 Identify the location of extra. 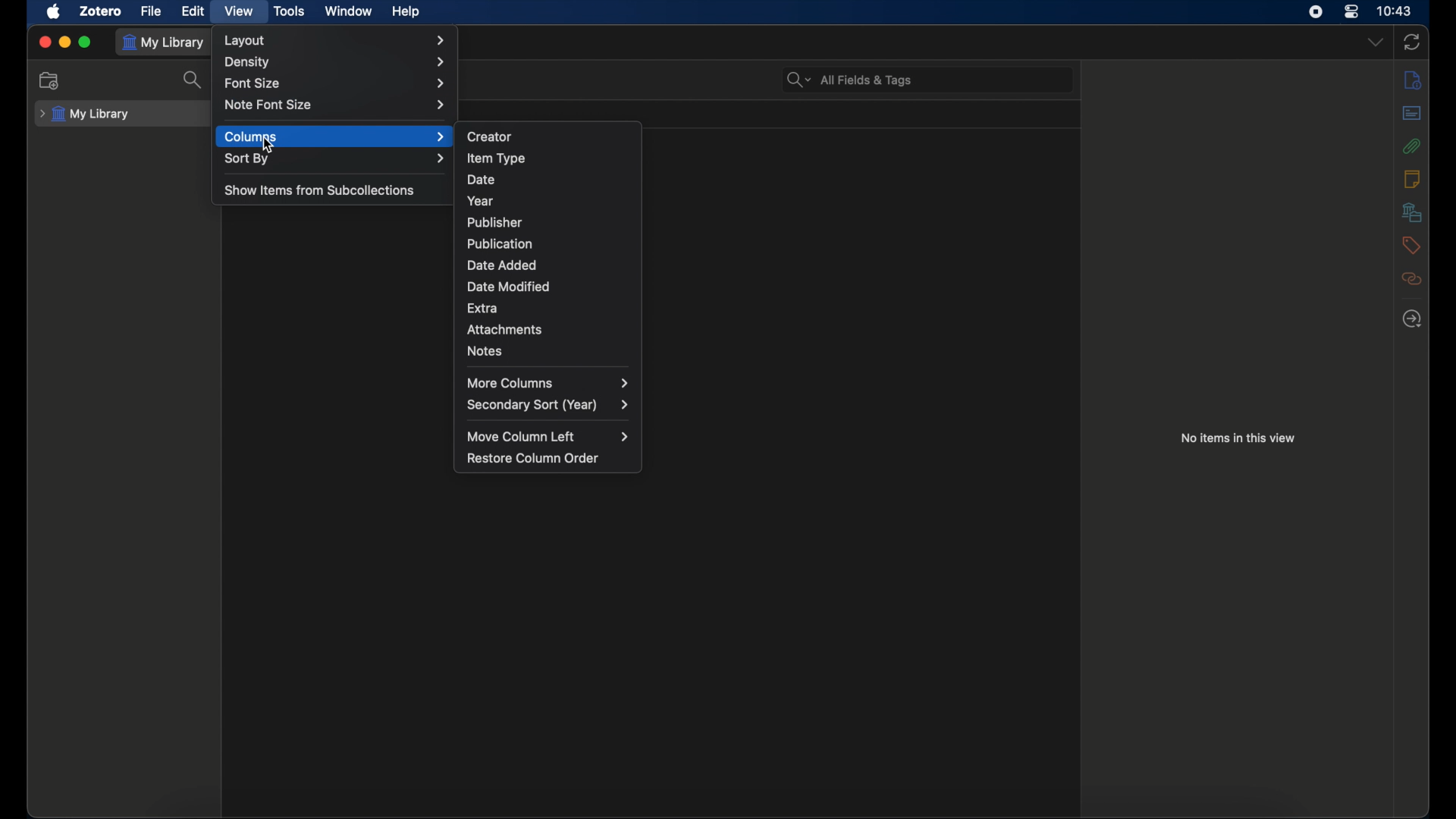
(483, 307).